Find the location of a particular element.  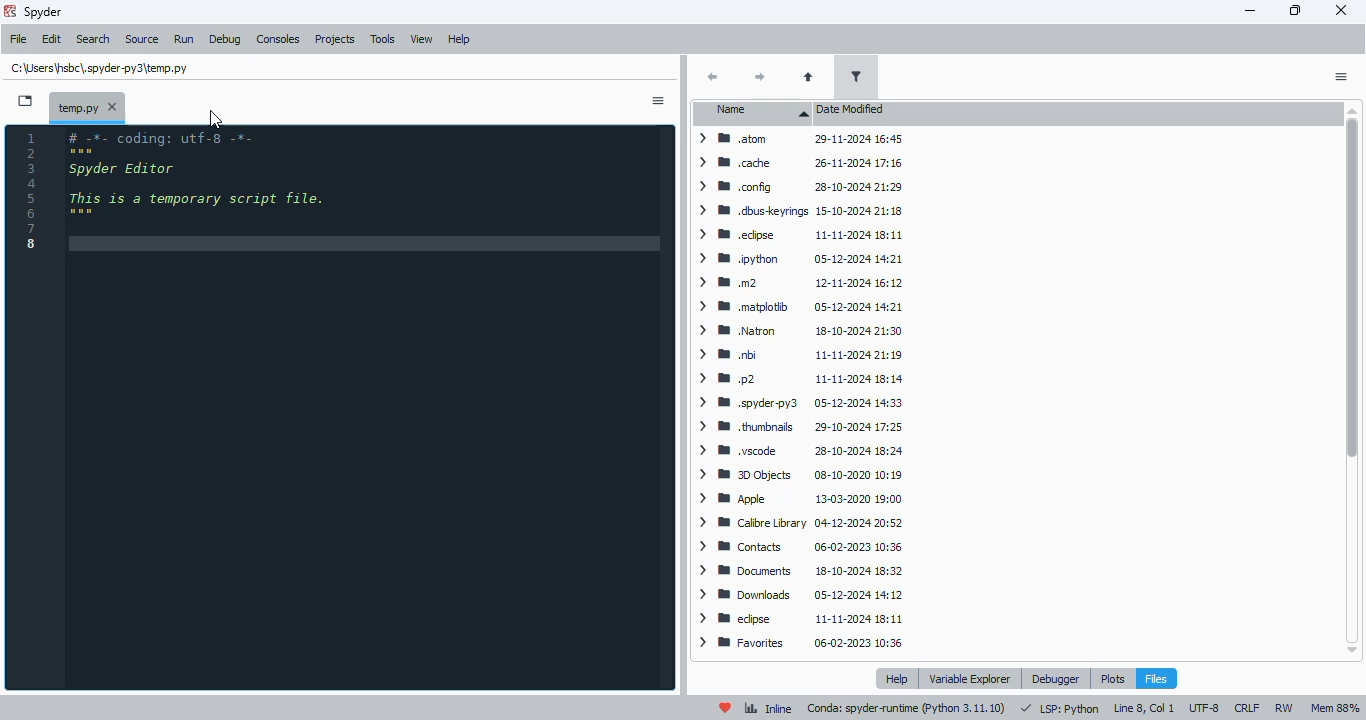

run is located at coordinates (184, 39).